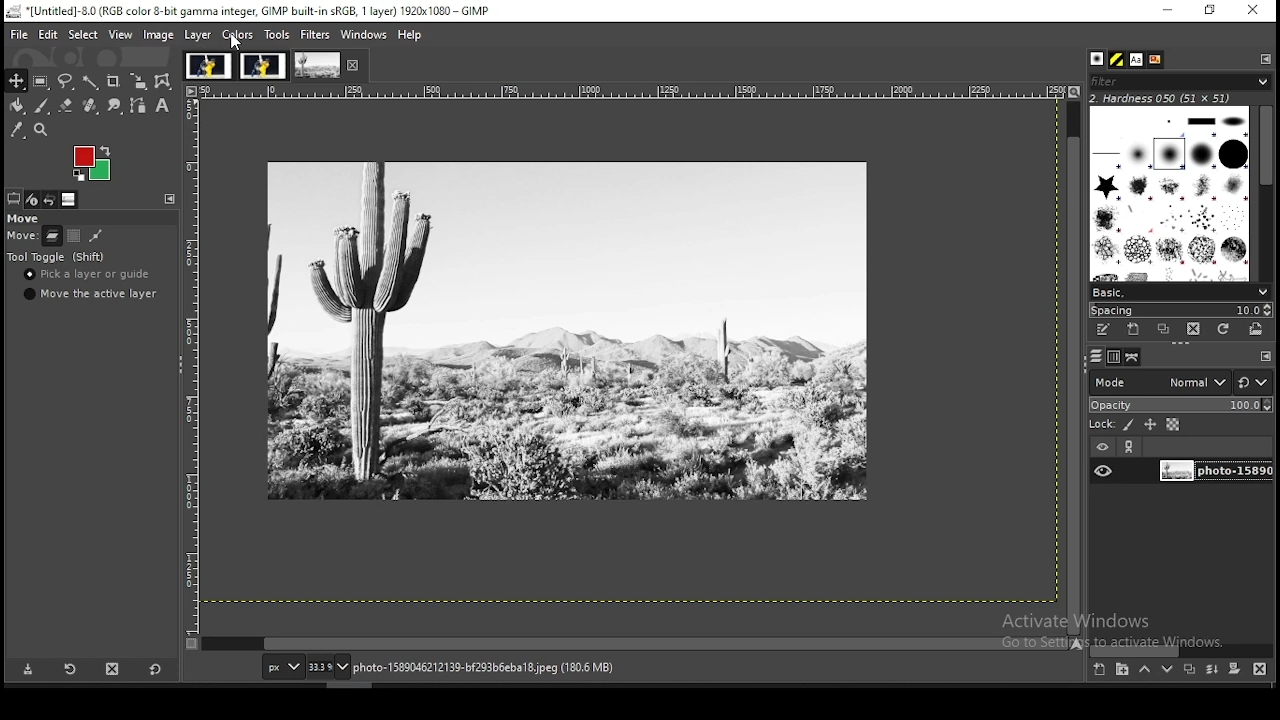  What do you see at coordinates (1121, 670) in the screenshot?
I see `new layer group` at bounding box center [1121, 670].